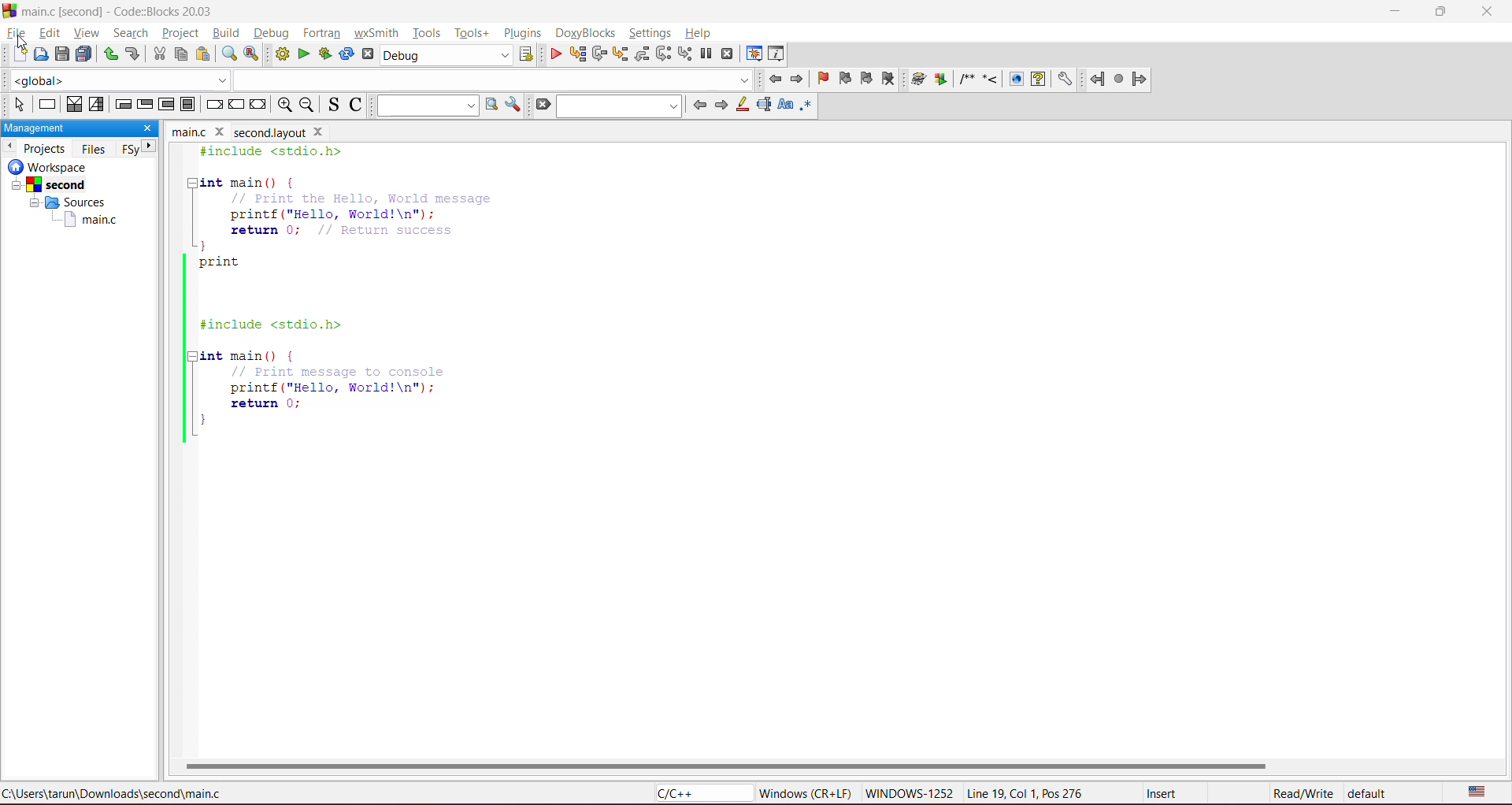 Image resolution: width=1512 pixels, height=805 pixels. I want to click on run to cursor, so click(576, 54).